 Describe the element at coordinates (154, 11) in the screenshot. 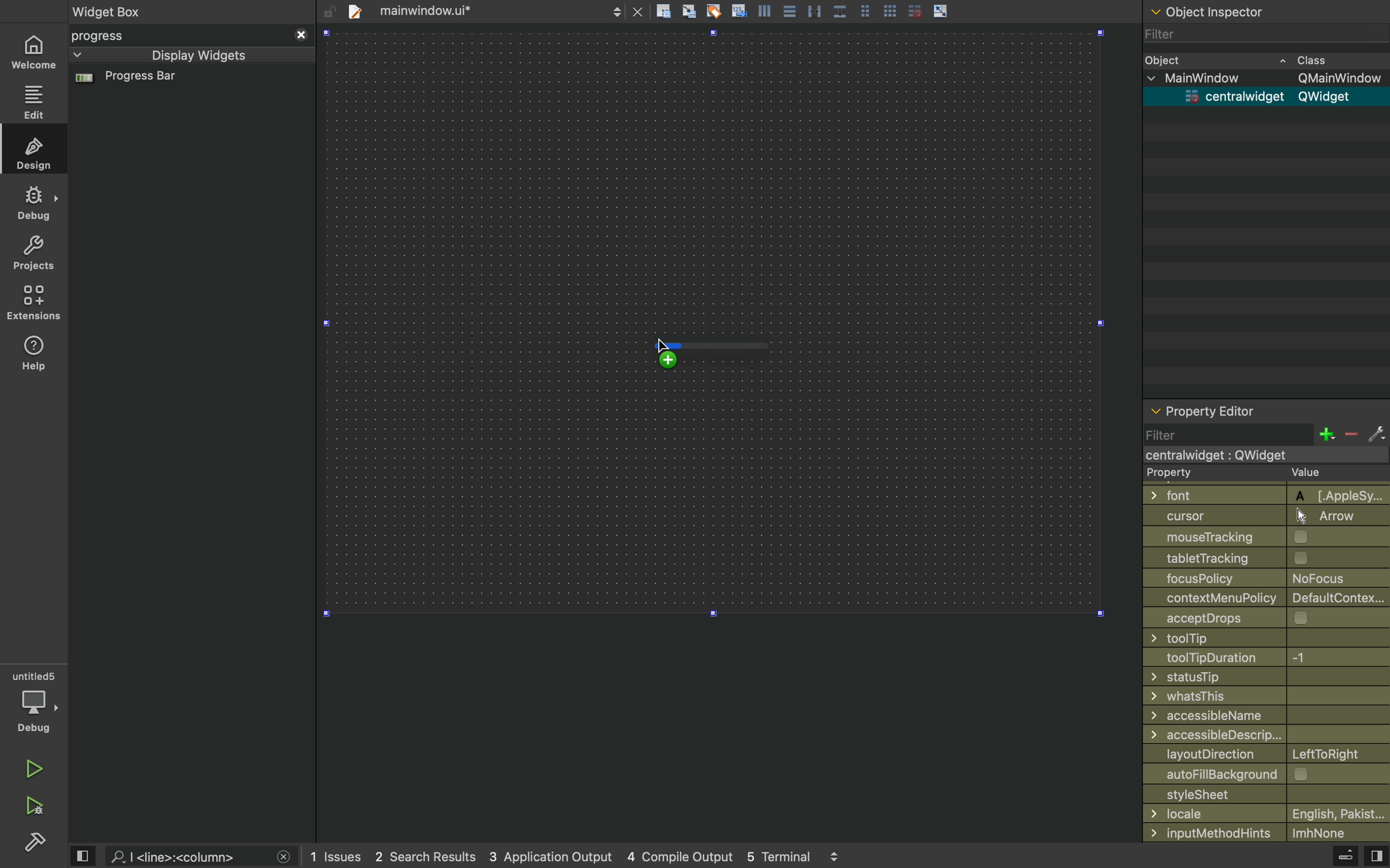

I see `widgetbox` at that location.